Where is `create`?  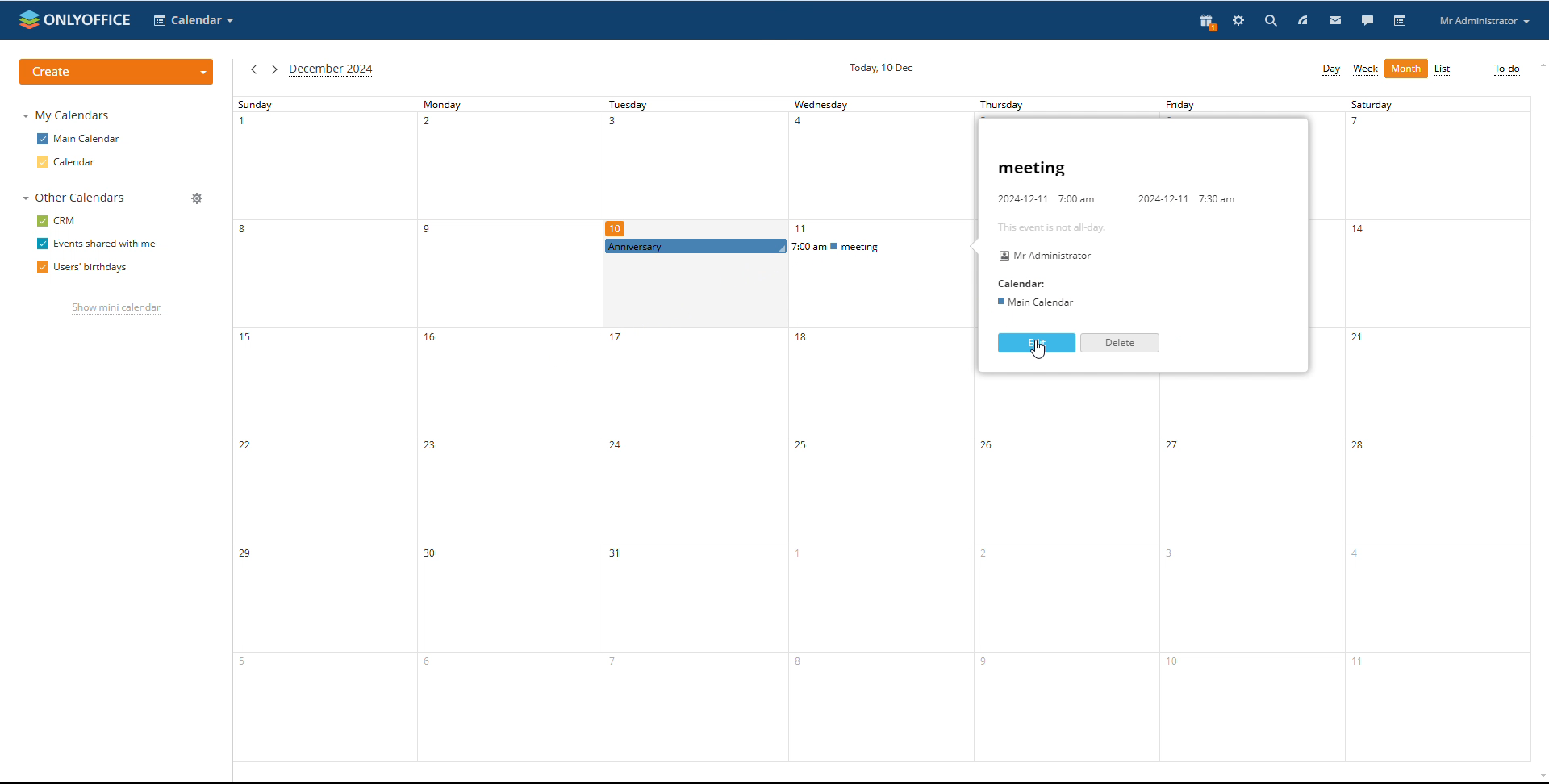
create is located at coordinates (118, 72).